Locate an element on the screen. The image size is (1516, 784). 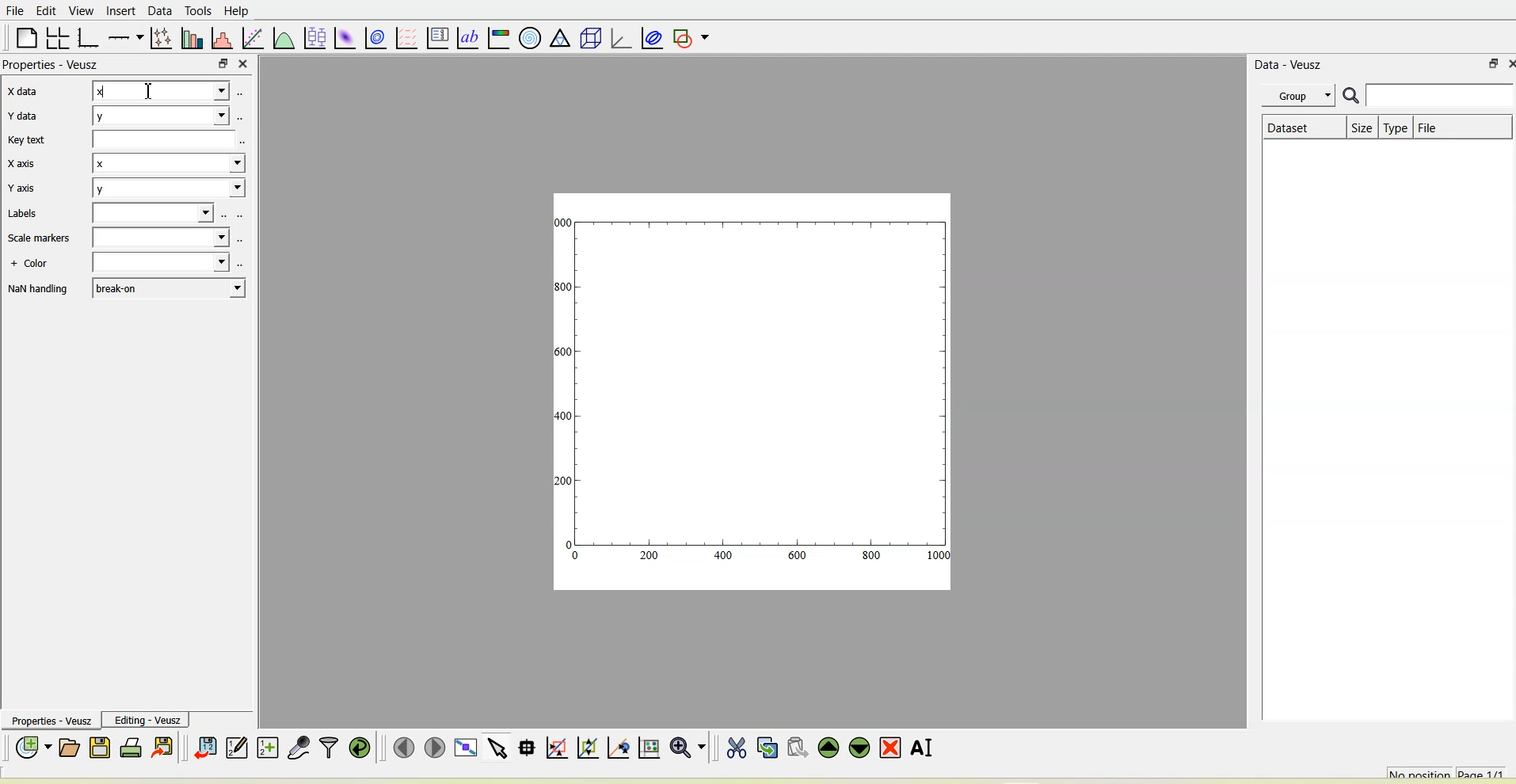
Move the selected widget up is located at coordinates (829, 748).